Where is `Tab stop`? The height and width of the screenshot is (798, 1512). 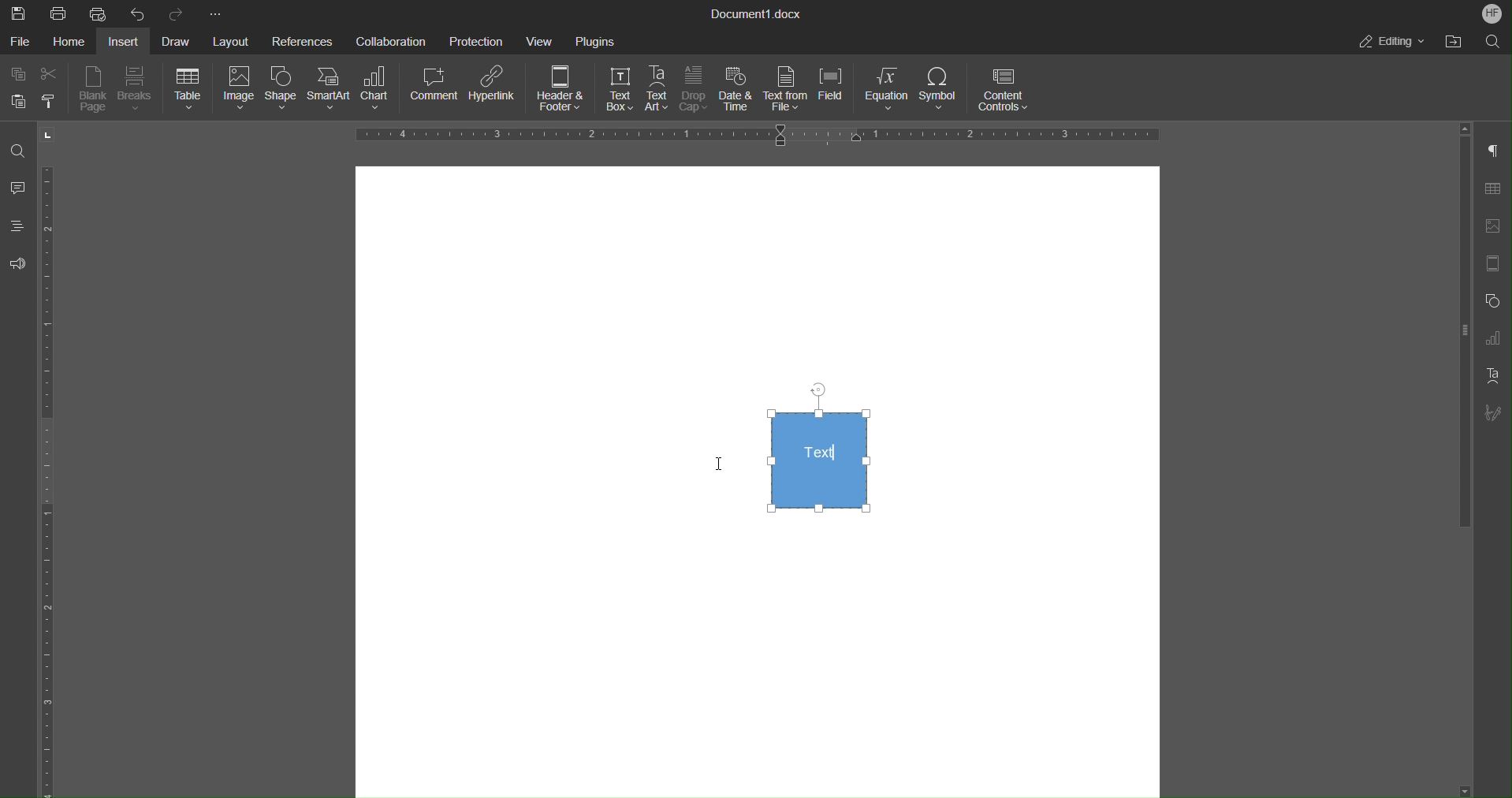
Tab stop is located at coordinates (49, 135).